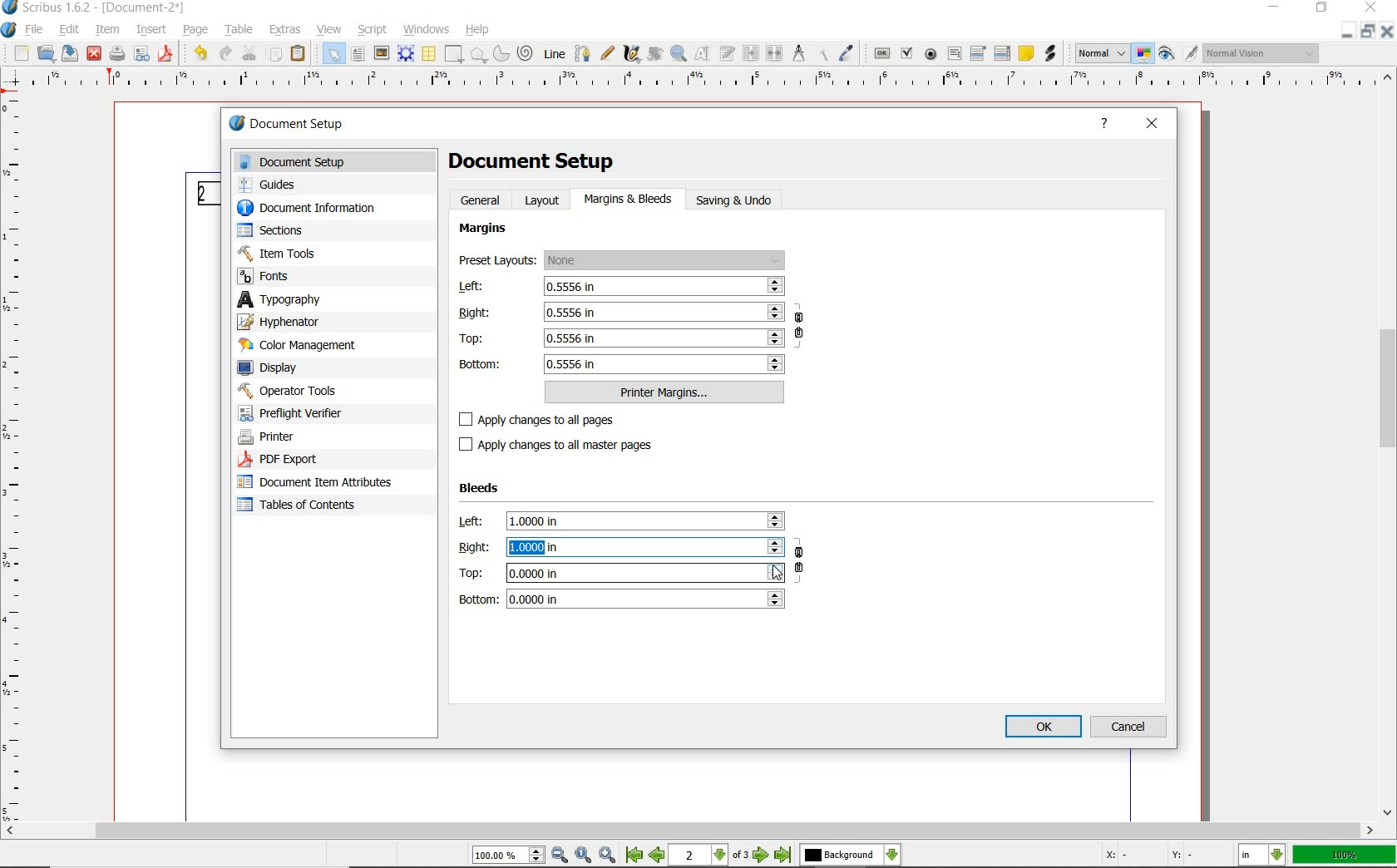 The height and width of the screenshot is (868, 1397). Describe the element at coordinates (374, 29) in the screenshot. I see `script` at that location.